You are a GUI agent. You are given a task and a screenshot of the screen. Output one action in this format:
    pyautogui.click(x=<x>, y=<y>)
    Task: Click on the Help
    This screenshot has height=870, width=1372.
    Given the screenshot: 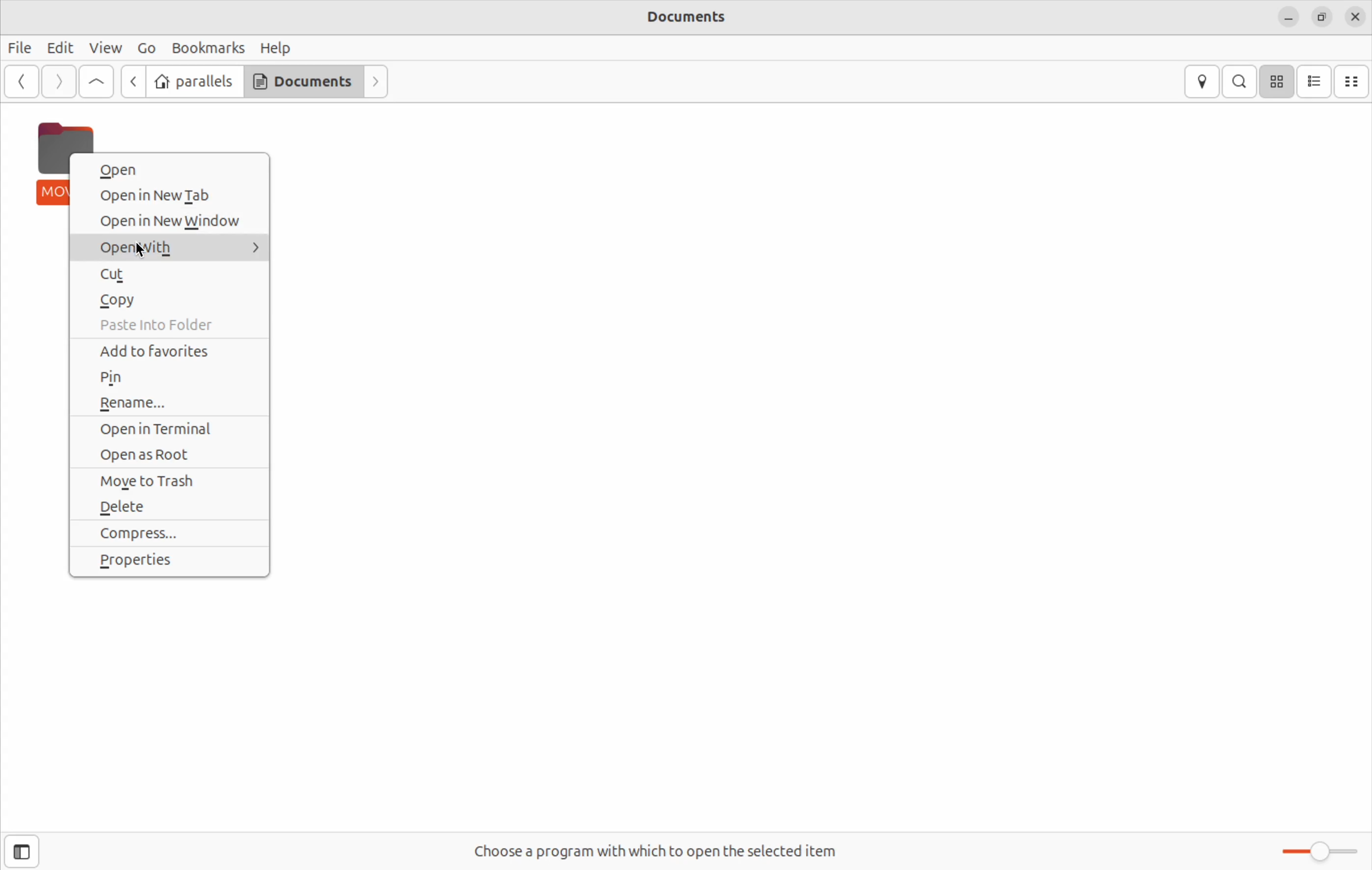 What is the action you would take?
    pyautogui.click(x=276, y=47)
    